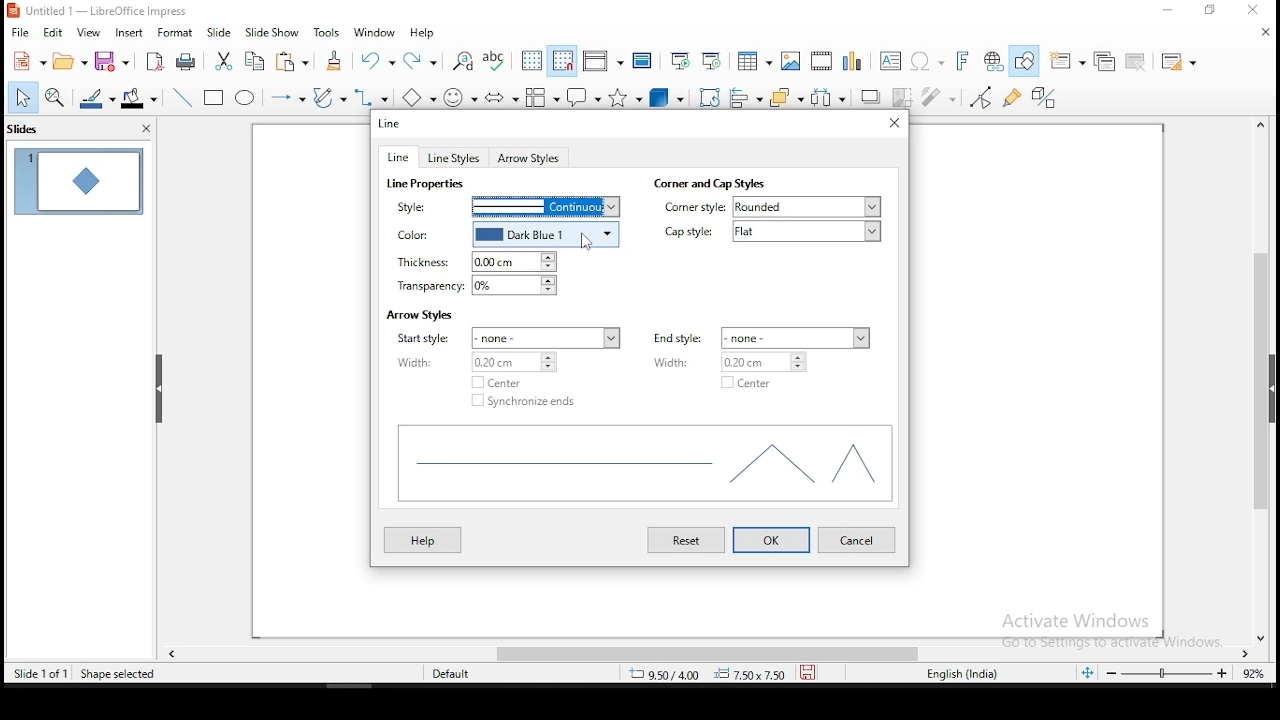 This screenshot has height=720, width=1280. Describe the element at coordinates (1255, 10) in the screenshot. I see `close window` at that location.